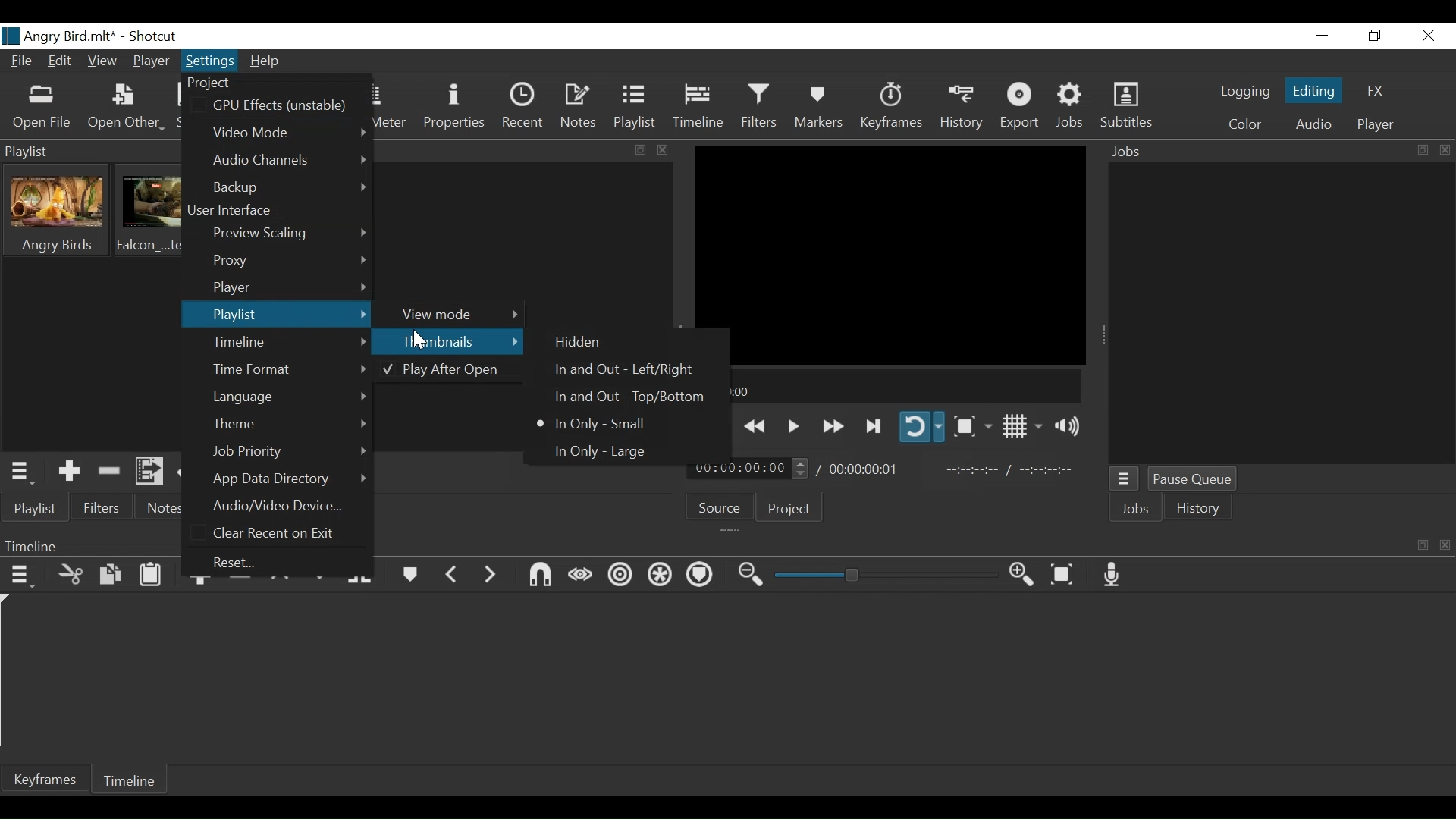 This screenshot has width=1456, height=819. What do you see at coordinates (820, 108) in the screenshot?
I see `Markers` at bounding box center [820, 108].